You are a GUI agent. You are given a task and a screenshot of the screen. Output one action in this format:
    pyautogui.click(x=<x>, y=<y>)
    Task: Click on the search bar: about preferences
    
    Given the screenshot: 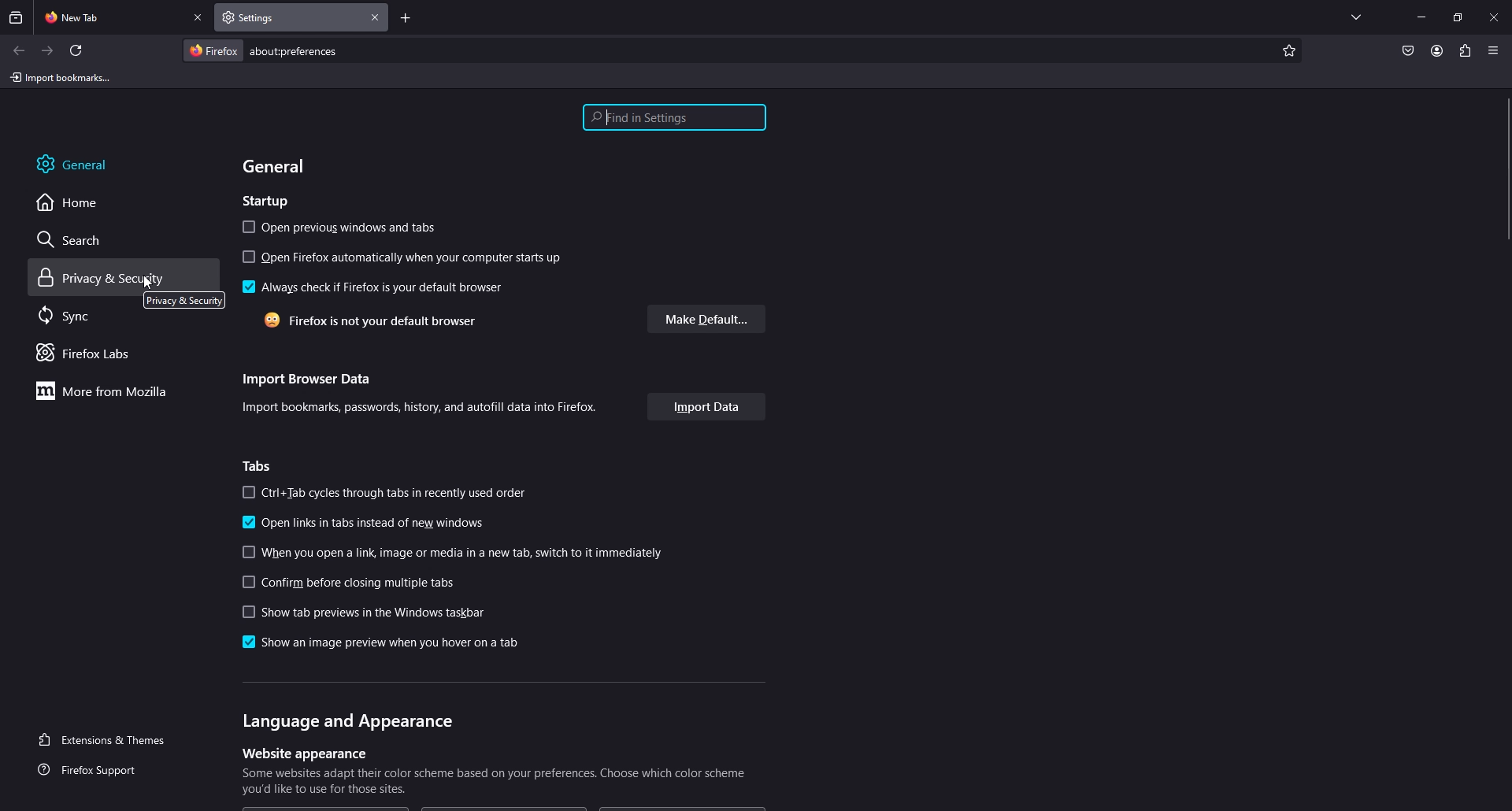 What is the action you would take?
    pyautogui.click(x=305, y=51)
    